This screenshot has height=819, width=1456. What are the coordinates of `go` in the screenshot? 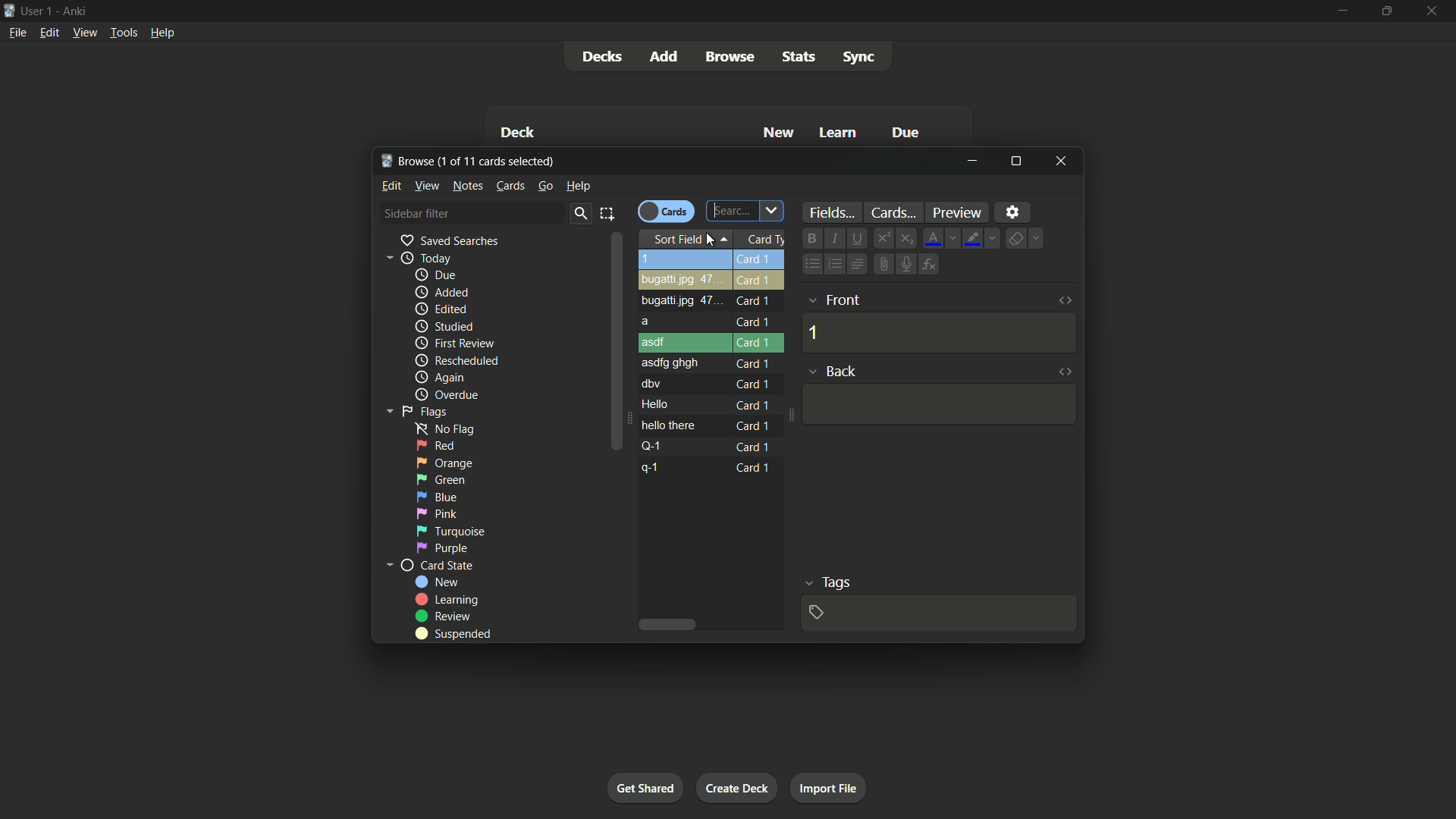 It's located at (544, 186).